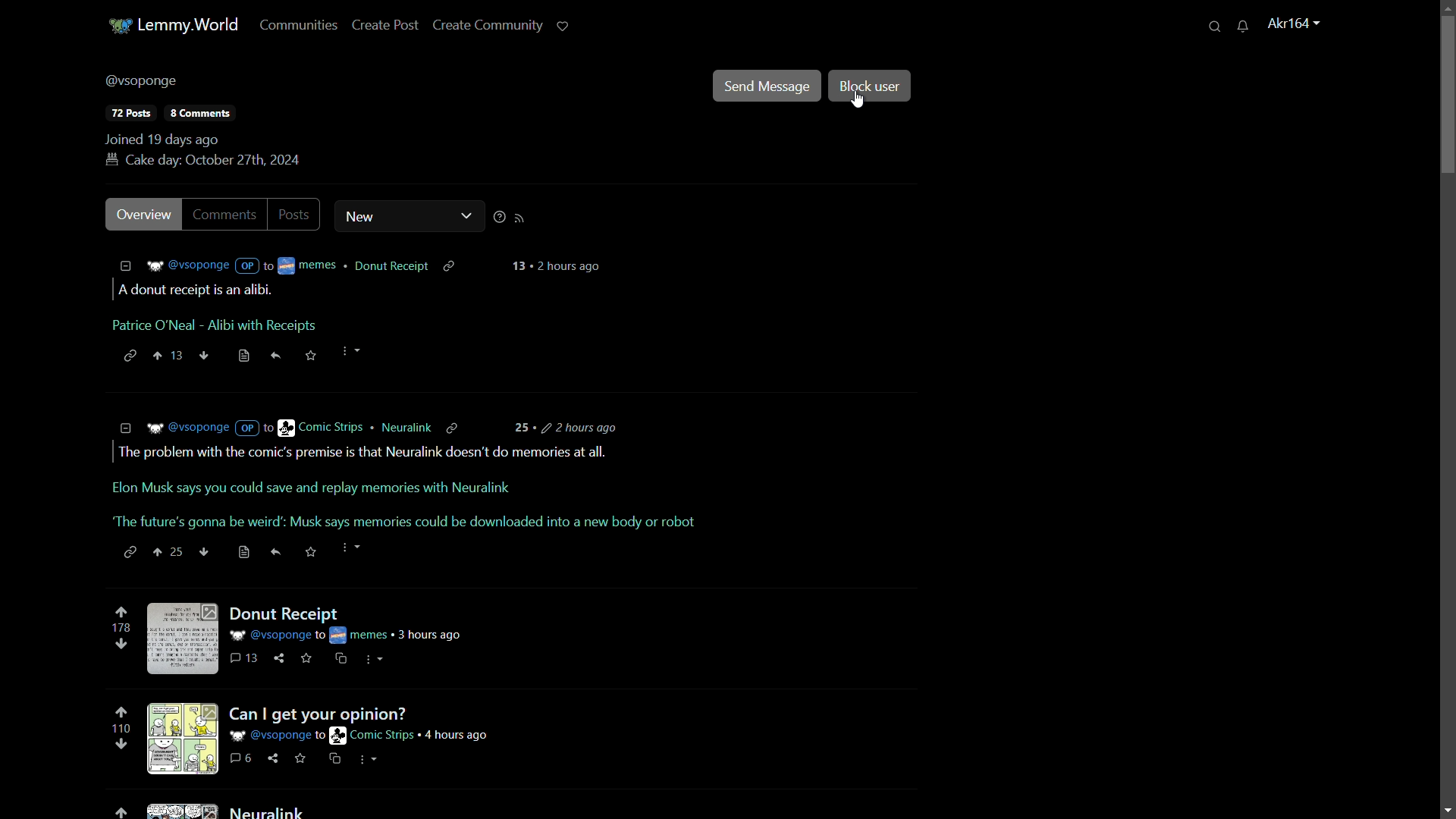  Describe the element at coordinates (453, 264) in the screenshot. I see `copy link` at that location.